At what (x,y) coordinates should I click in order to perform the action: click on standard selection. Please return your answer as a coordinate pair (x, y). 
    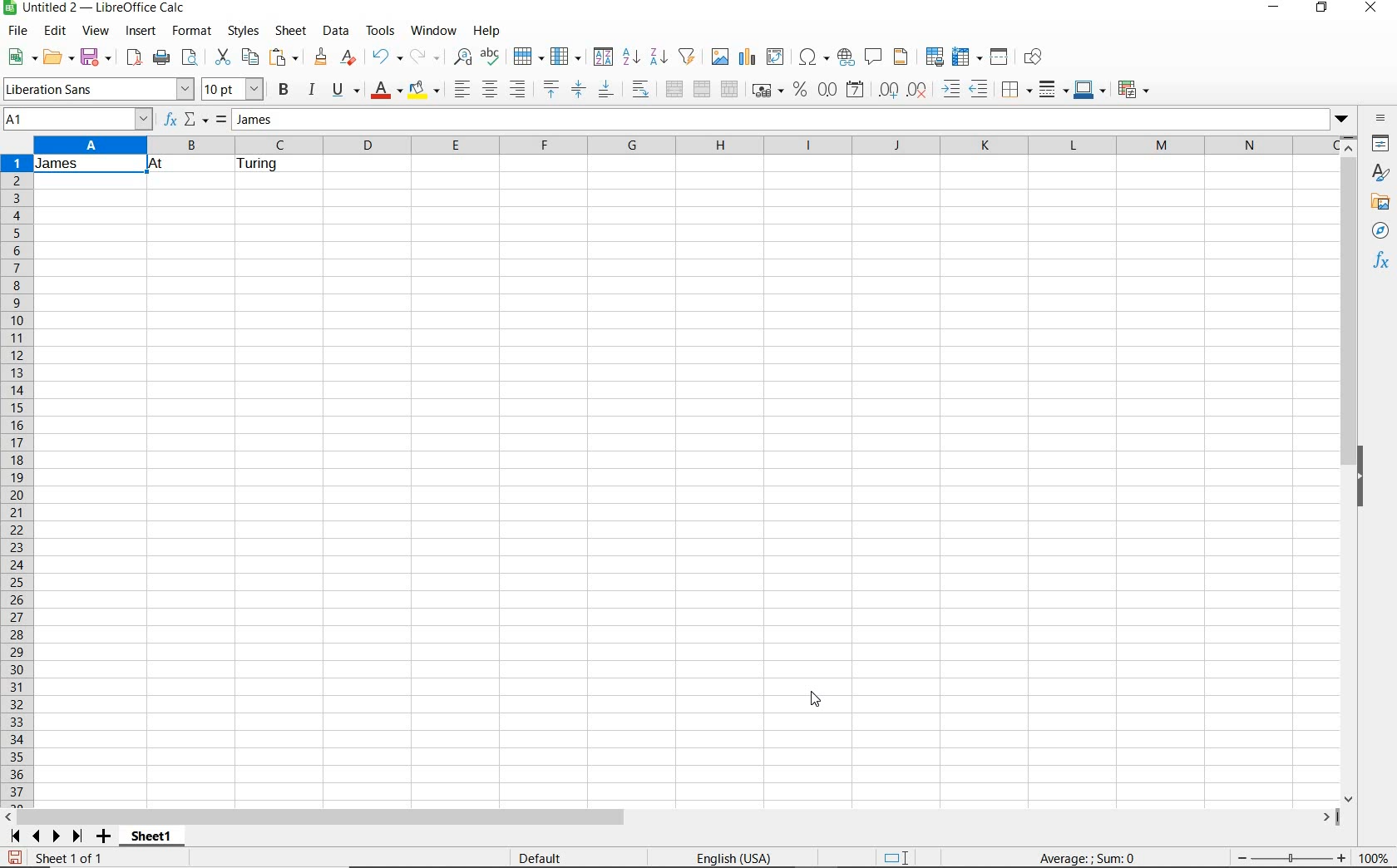
    Looking at the image, I should click on (899, 856).